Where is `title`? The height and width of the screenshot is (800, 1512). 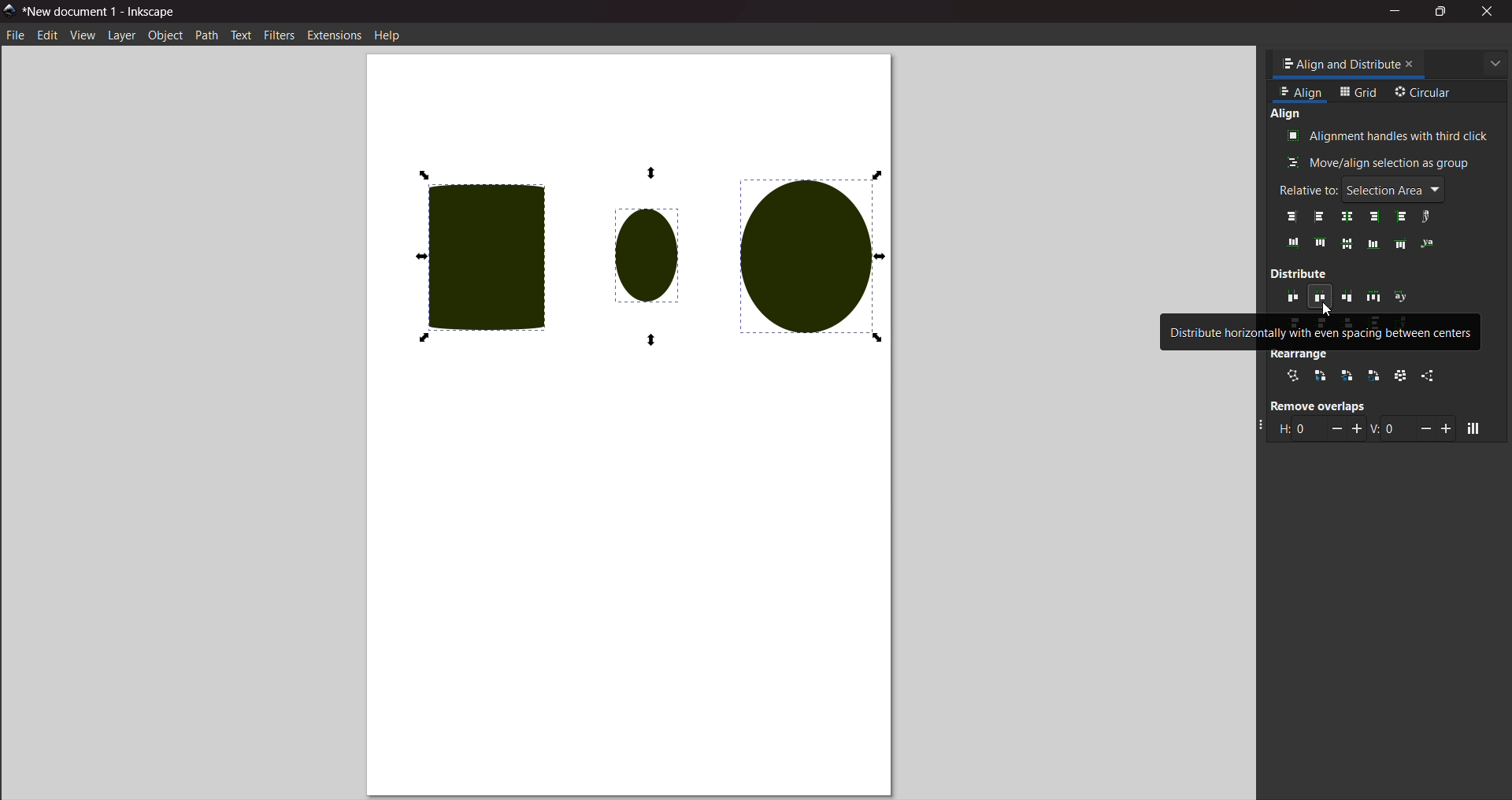
title is located at coordinates (104, 10).